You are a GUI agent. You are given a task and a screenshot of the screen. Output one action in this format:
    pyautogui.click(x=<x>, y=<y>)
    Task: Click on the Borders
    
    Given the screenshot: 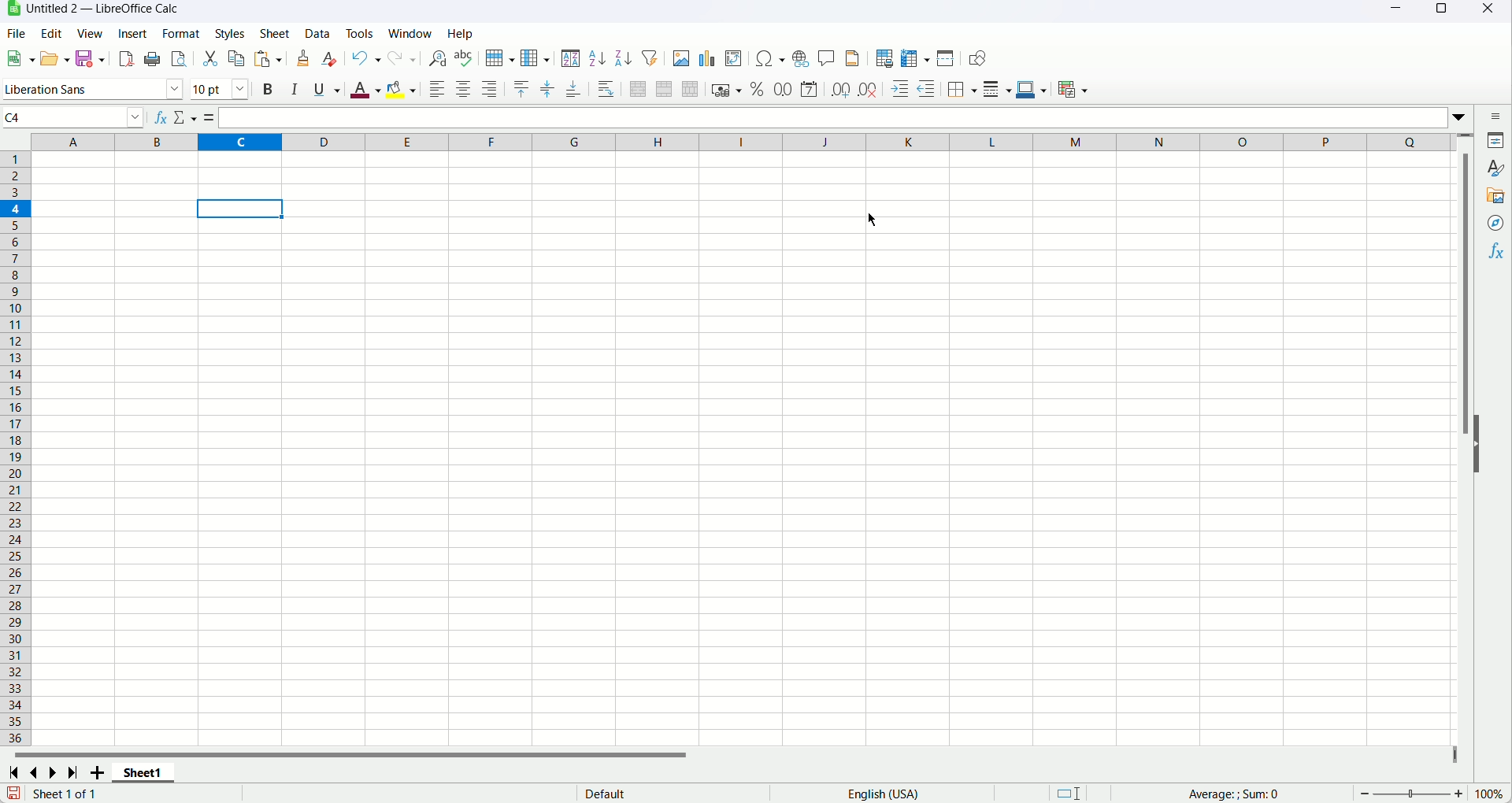 What is the action you would take?
    pyautogui.click(x=963, y=89)
    